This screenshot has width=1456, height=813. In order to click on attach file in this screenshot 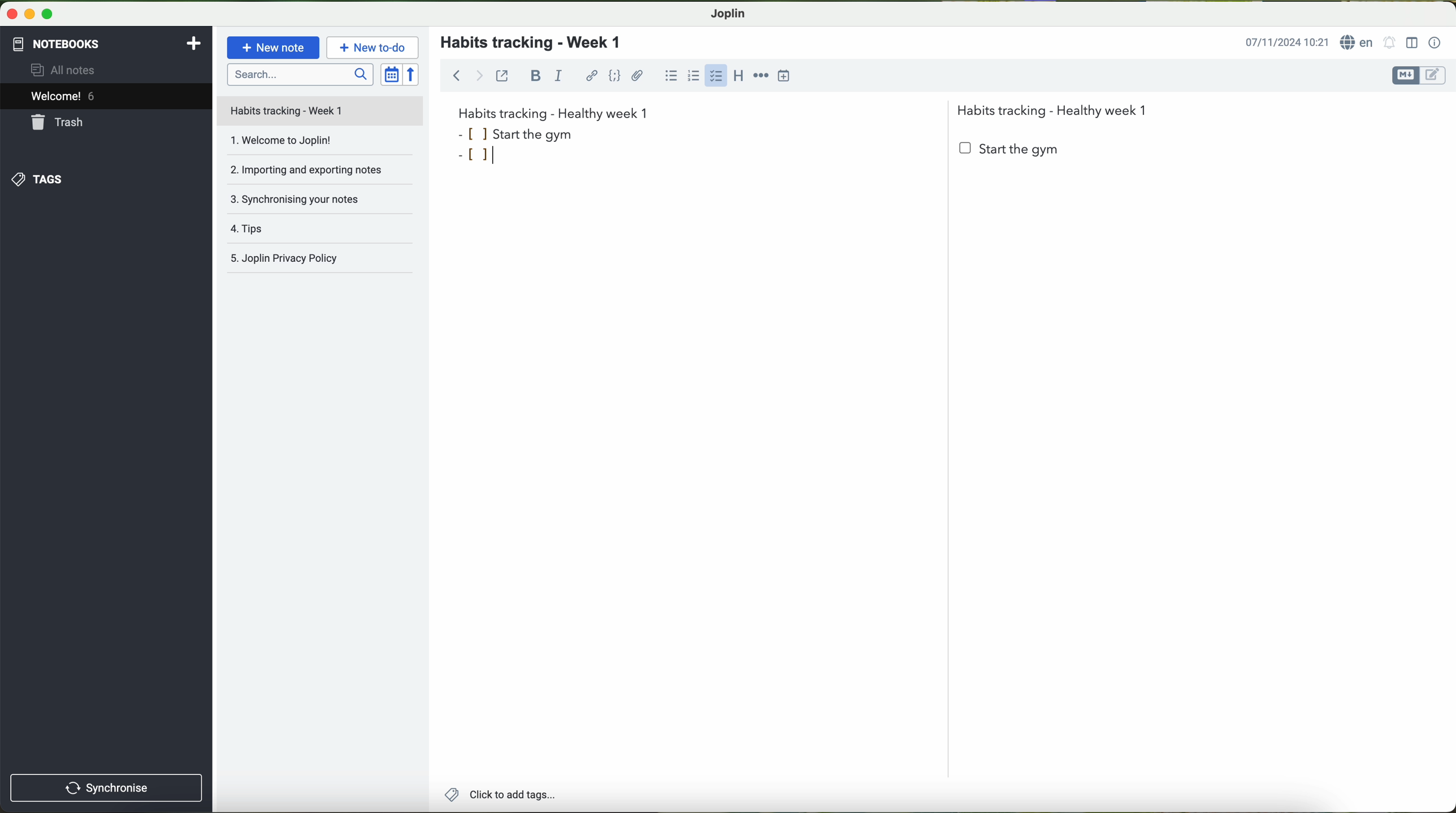, I will do `click(638, 75)`.